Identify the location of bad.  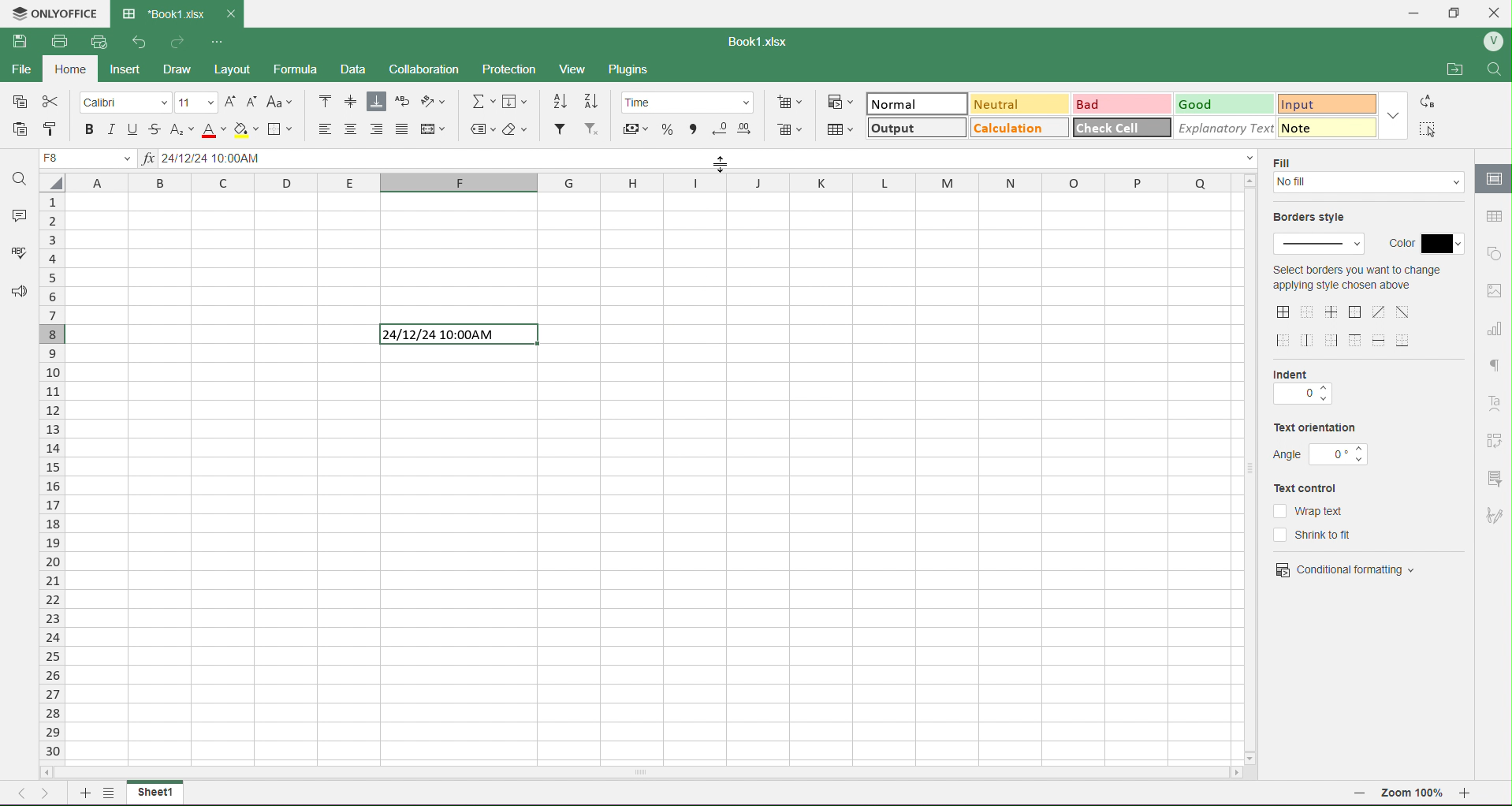
(1092, 103).